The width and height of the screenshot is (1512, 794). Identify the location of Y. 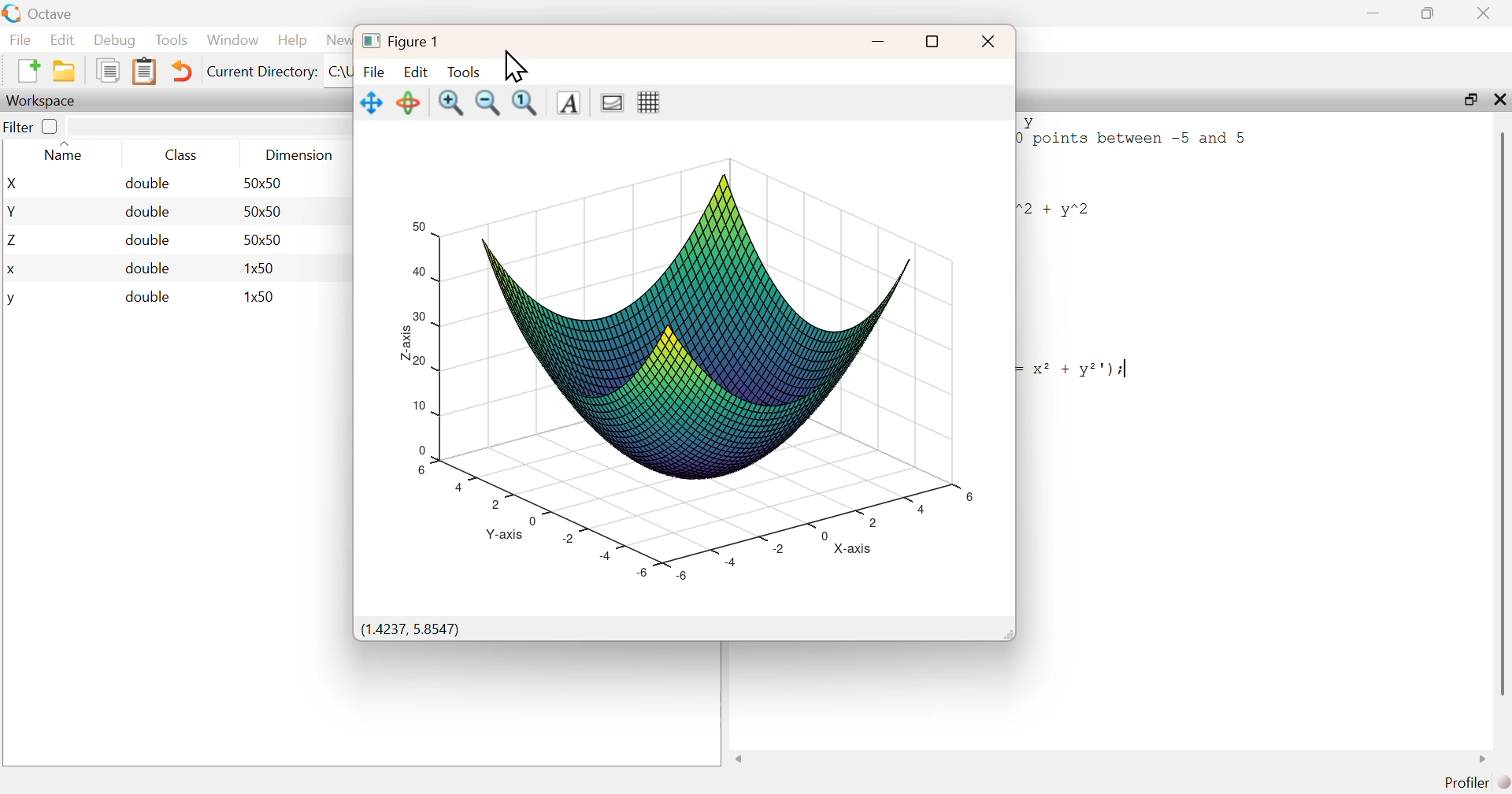
(13, 211).